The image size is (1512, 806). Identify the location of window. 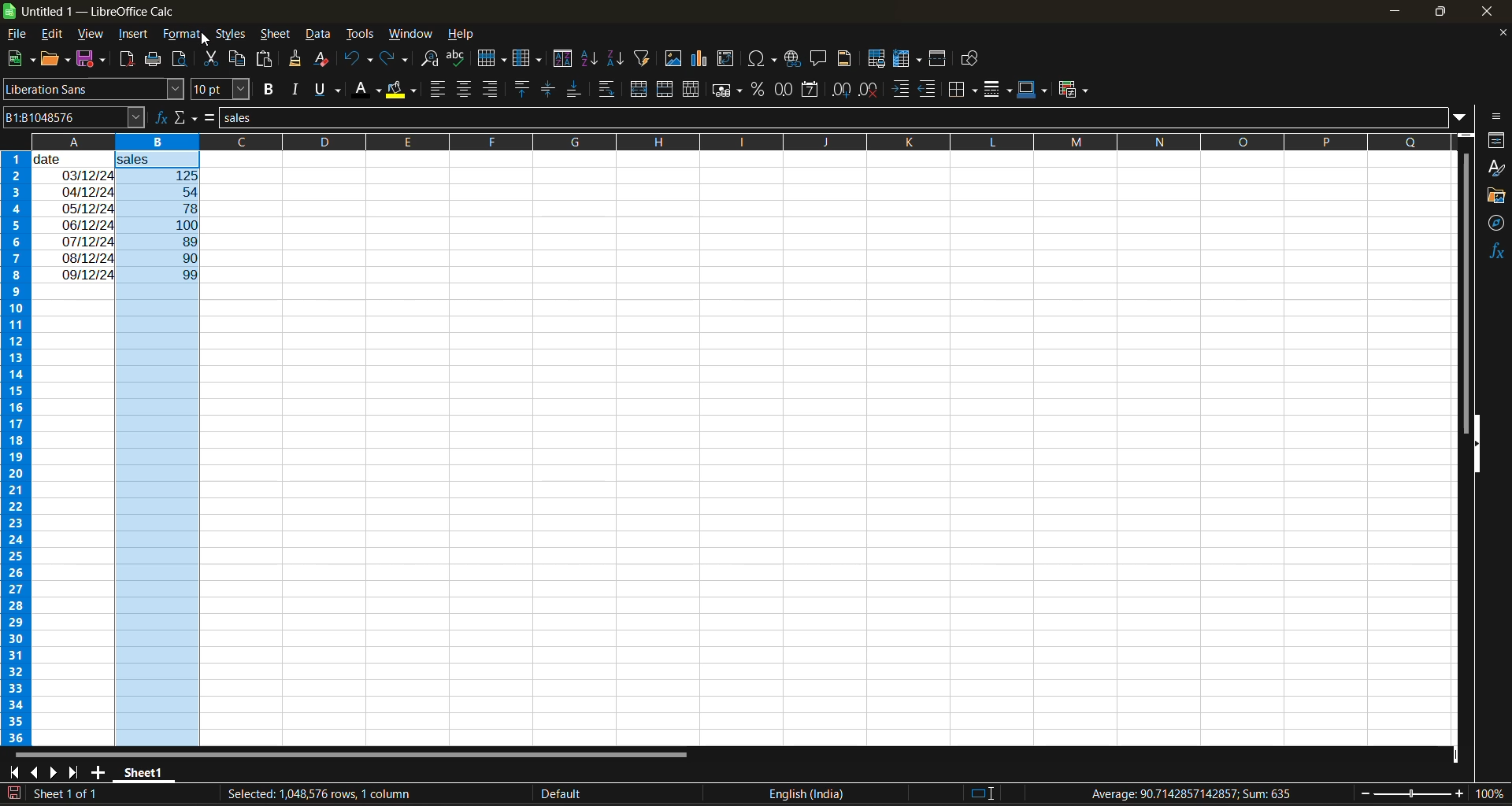
(409, 35).